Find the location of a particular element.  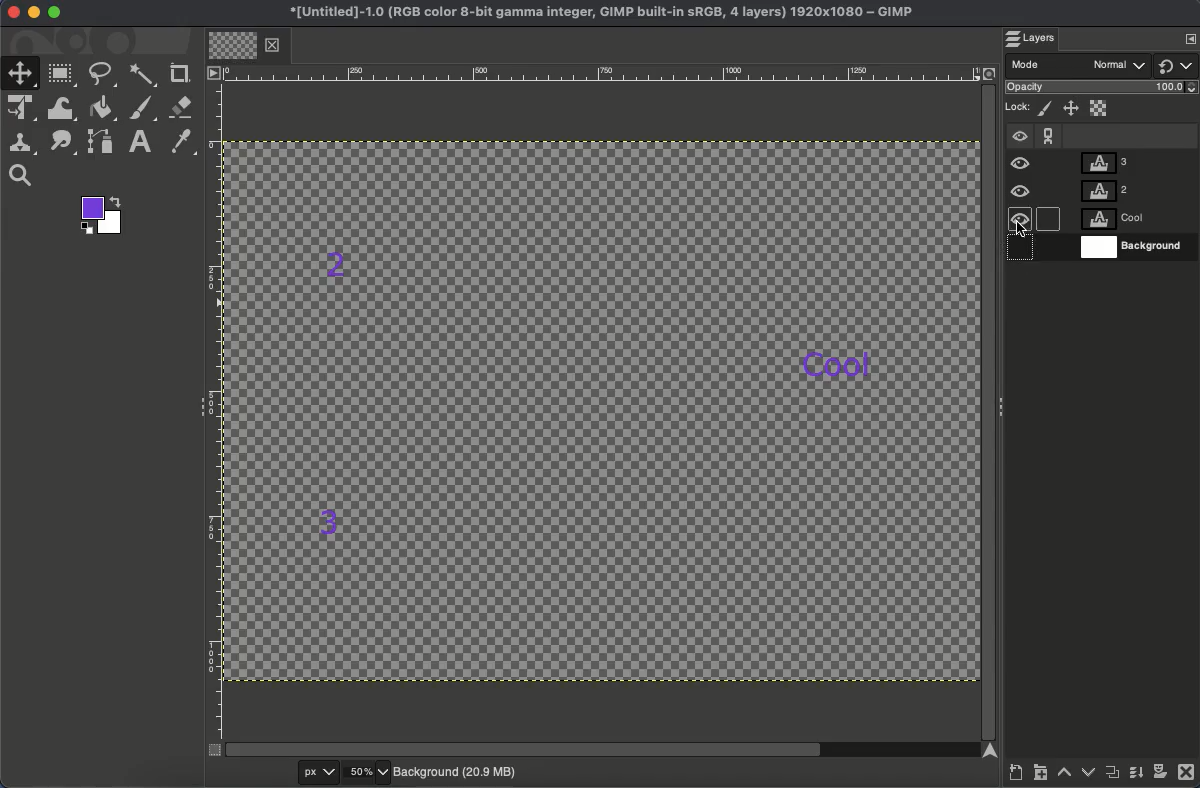

Lower layer is located at coordinates (1087, 775).